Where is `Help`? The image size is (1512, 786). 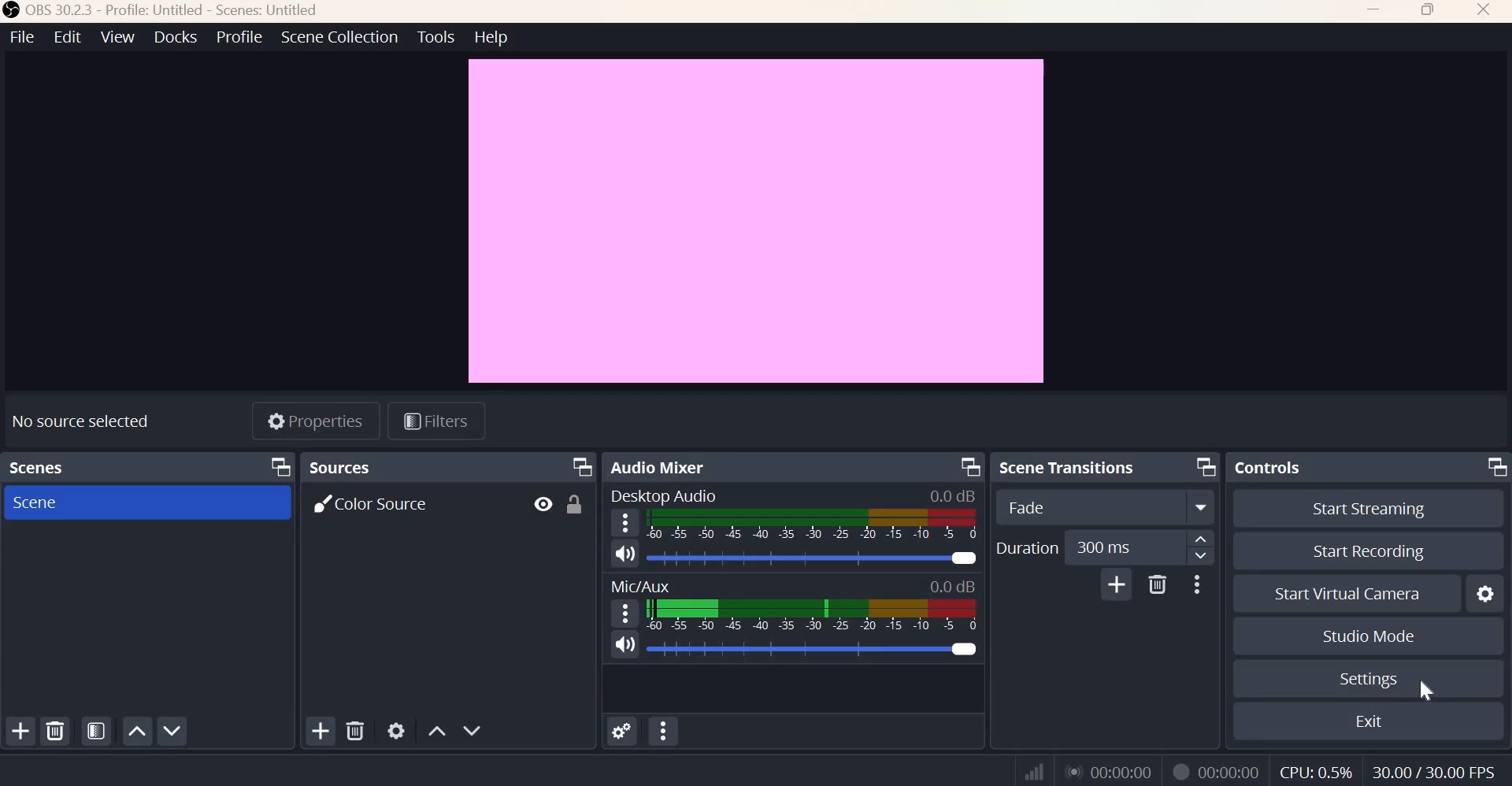 Help is located at coordinates (491, 37).